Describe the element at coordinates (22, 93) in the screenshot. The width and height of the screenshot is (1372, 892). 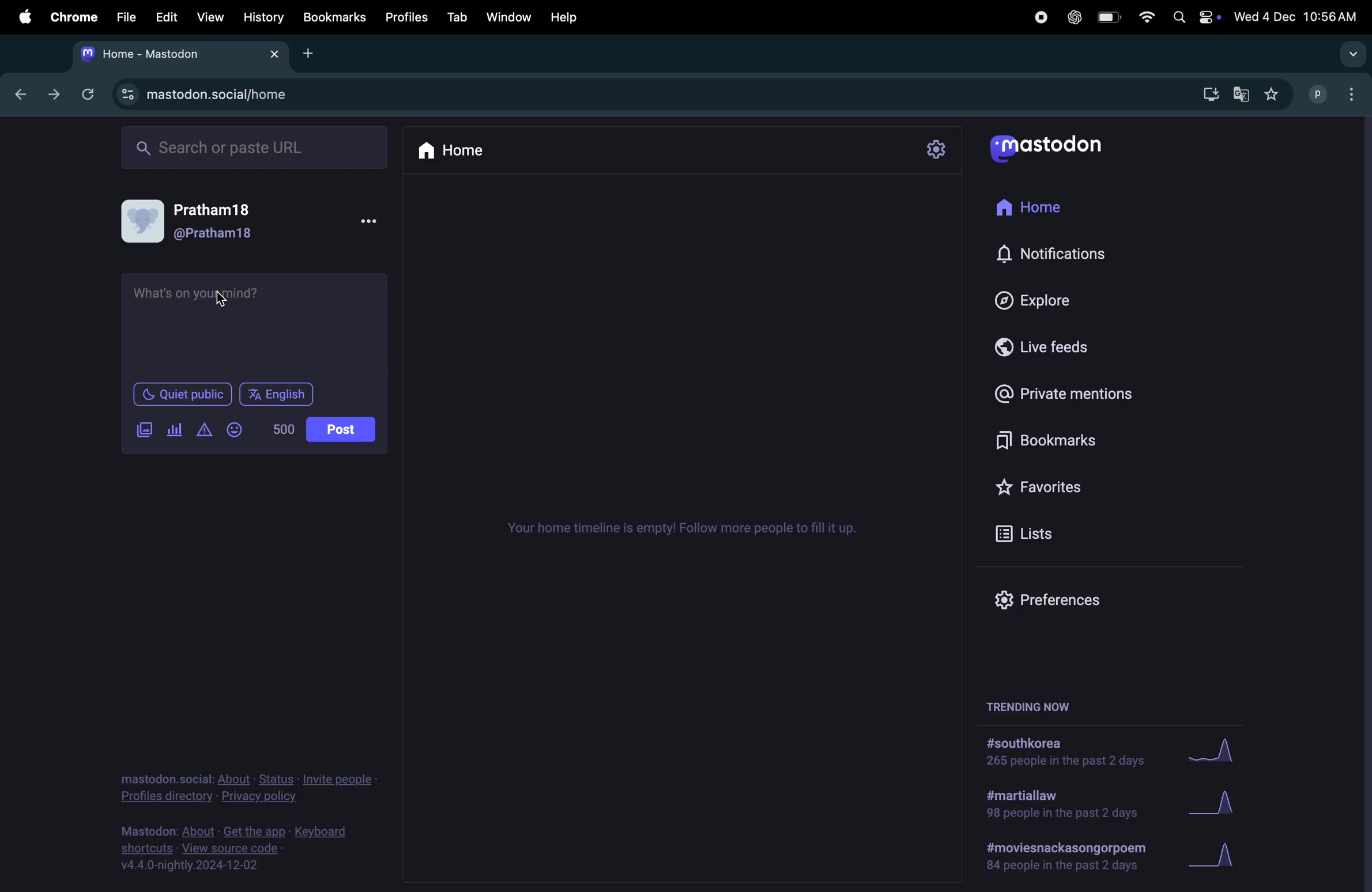
I see `previous tab` at that location.